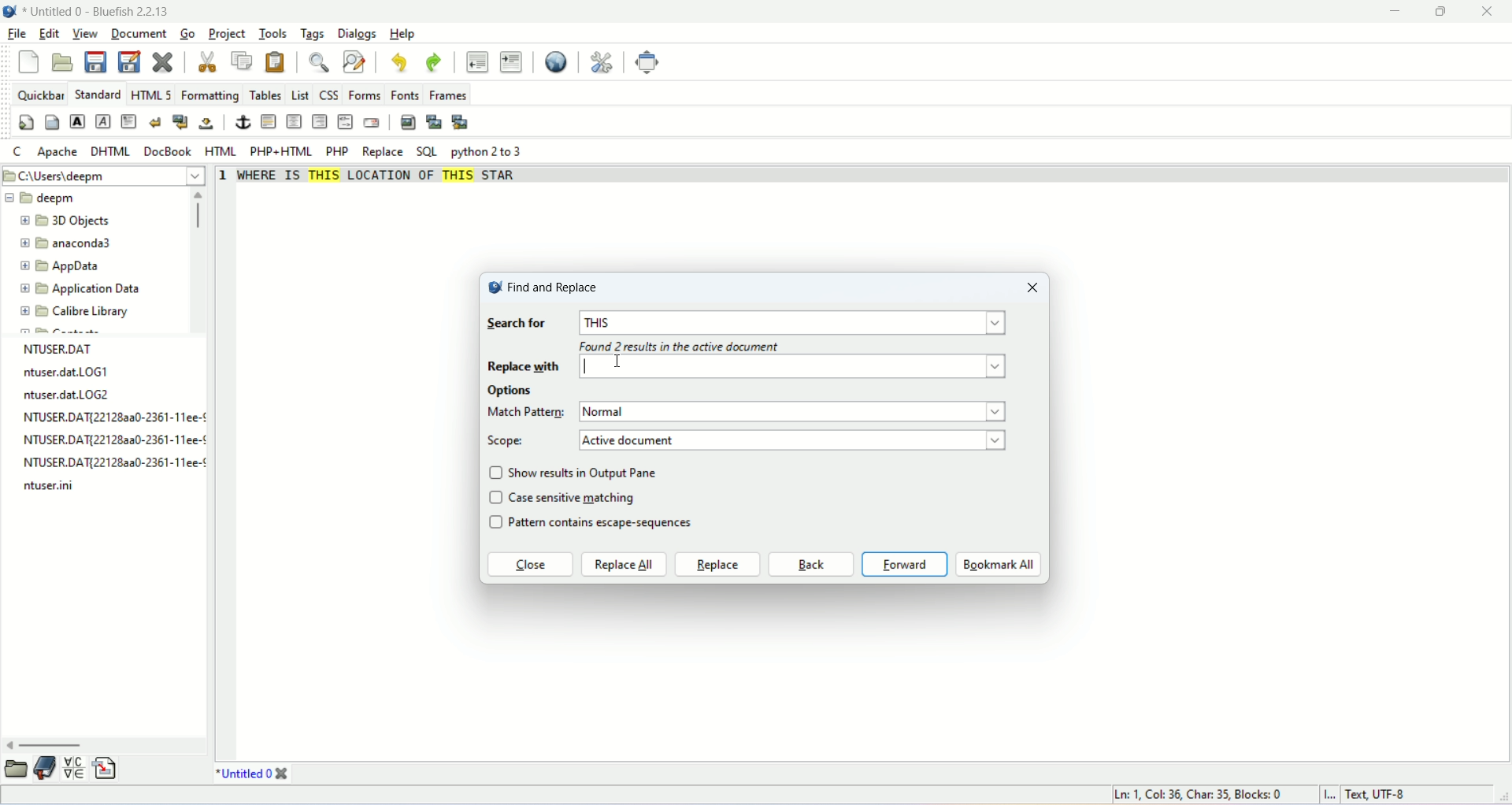 The image size is (1512, 805). Describe the element at coordinates (17, 768) in the screenshot. I see `file browser` at that location.